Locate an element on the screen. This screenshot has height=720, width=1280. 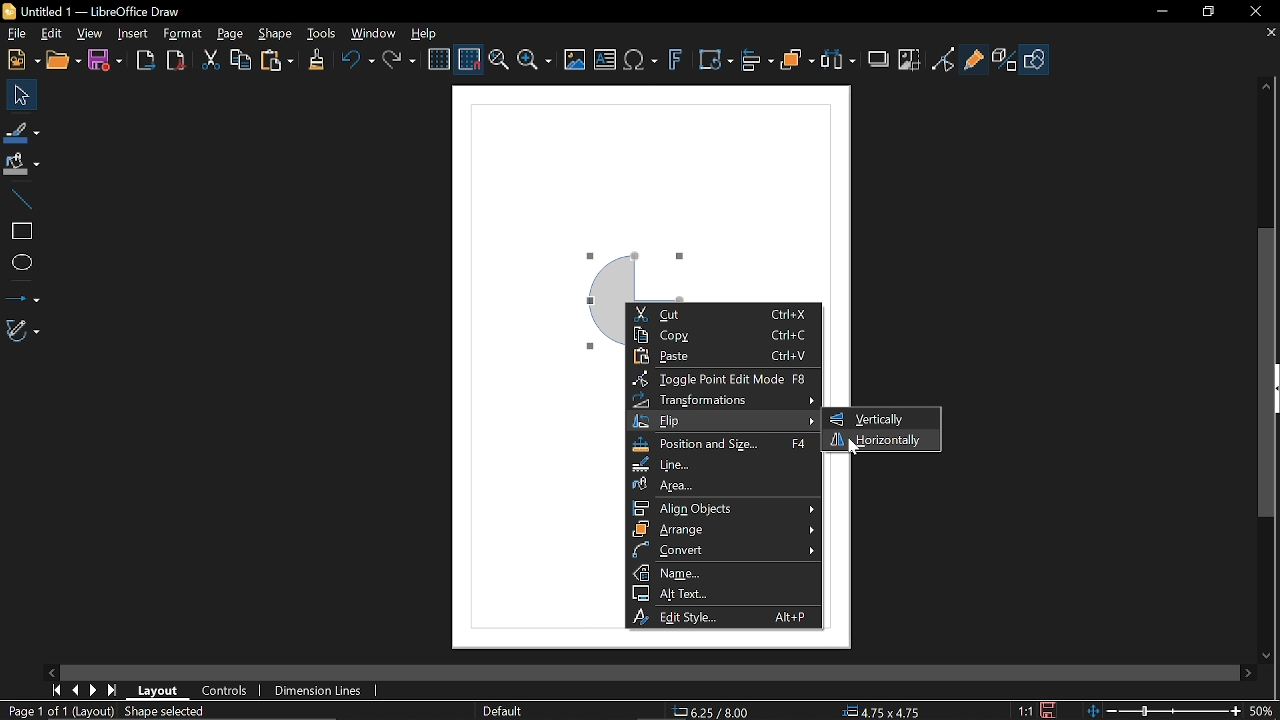
Default(Slide master name) is located at coordinates (506, 711).